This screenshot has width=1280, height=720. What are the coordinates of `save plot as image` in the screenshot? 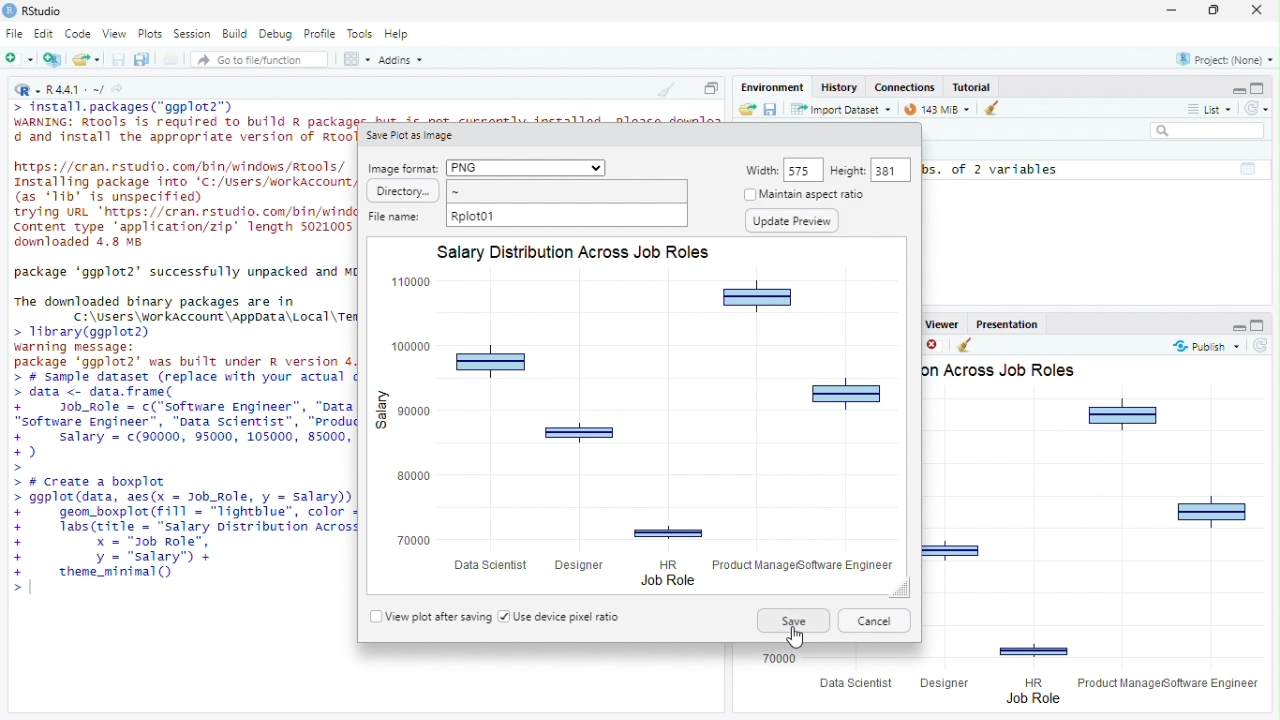 It's located at (416, 133).